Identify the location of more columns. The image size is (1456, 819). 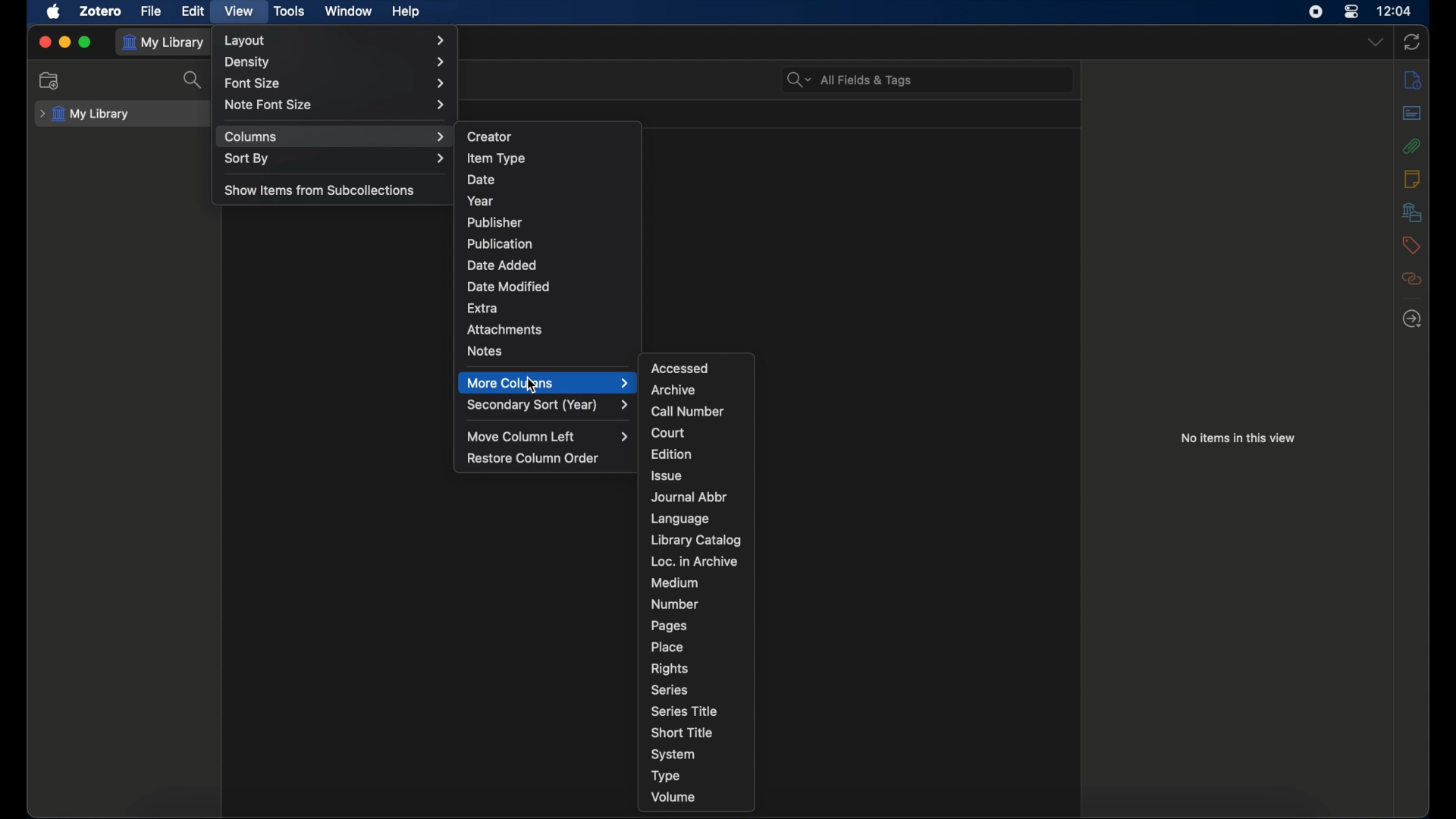
(550, 383).